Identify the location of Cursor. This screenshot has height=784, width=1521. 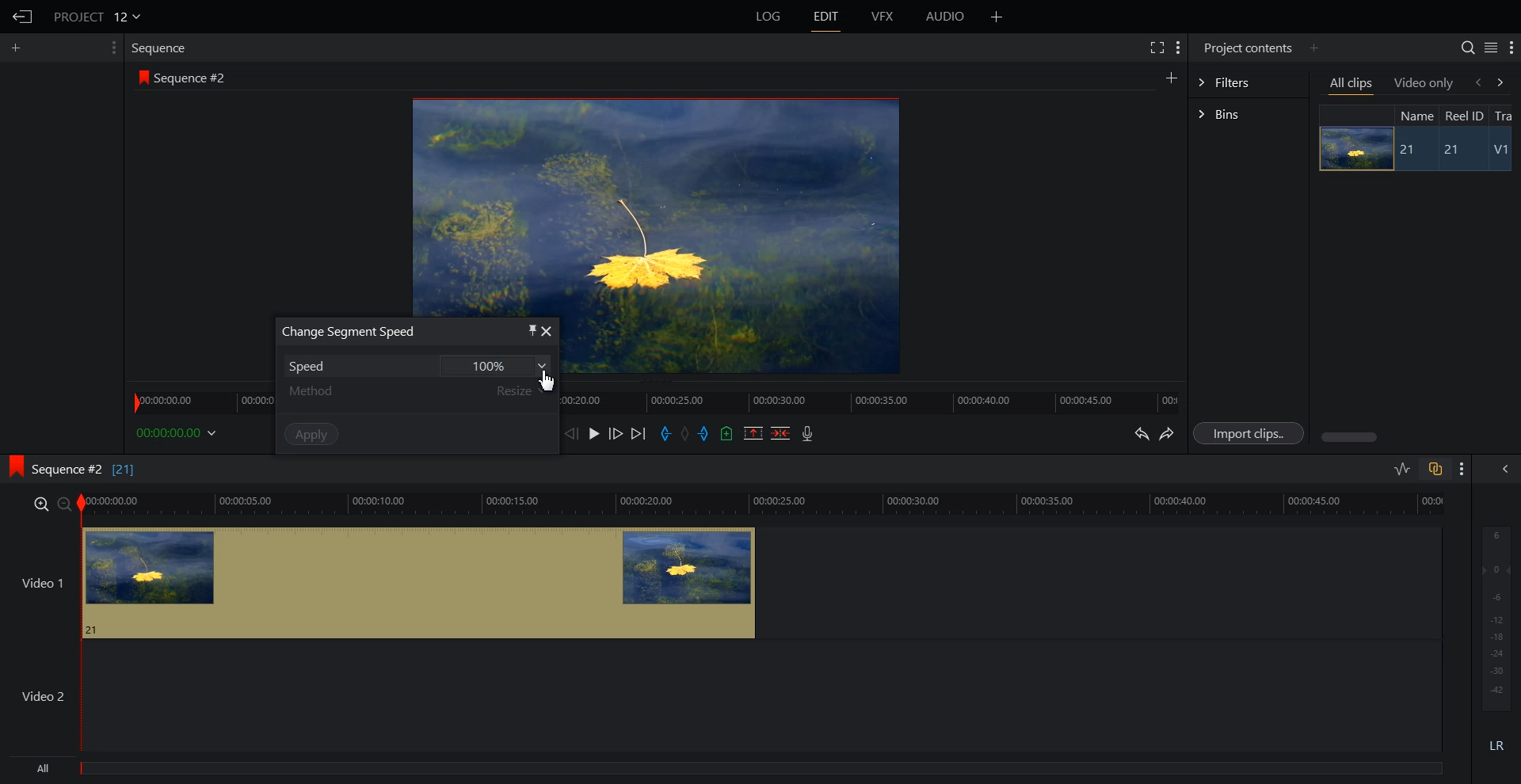
(549, 383).